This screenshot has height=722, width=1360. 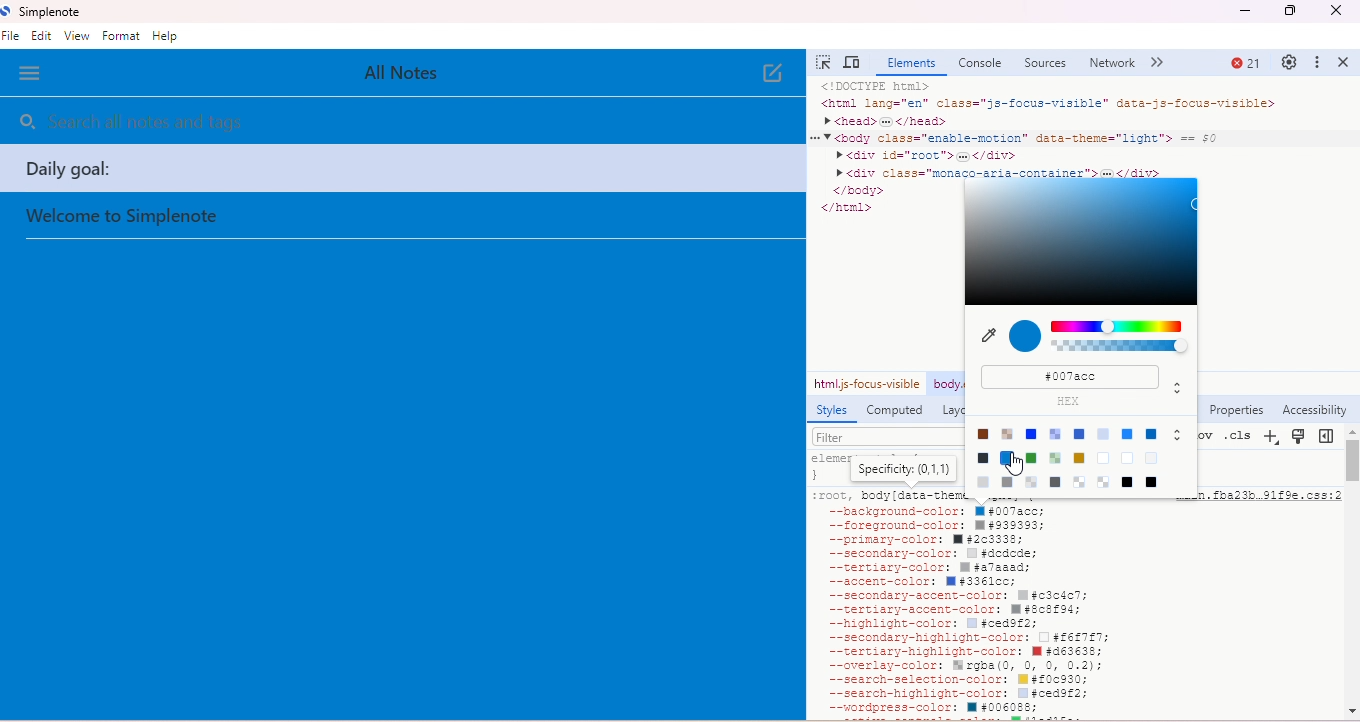 I want to click on .cls, so click(x=1238, y=436).